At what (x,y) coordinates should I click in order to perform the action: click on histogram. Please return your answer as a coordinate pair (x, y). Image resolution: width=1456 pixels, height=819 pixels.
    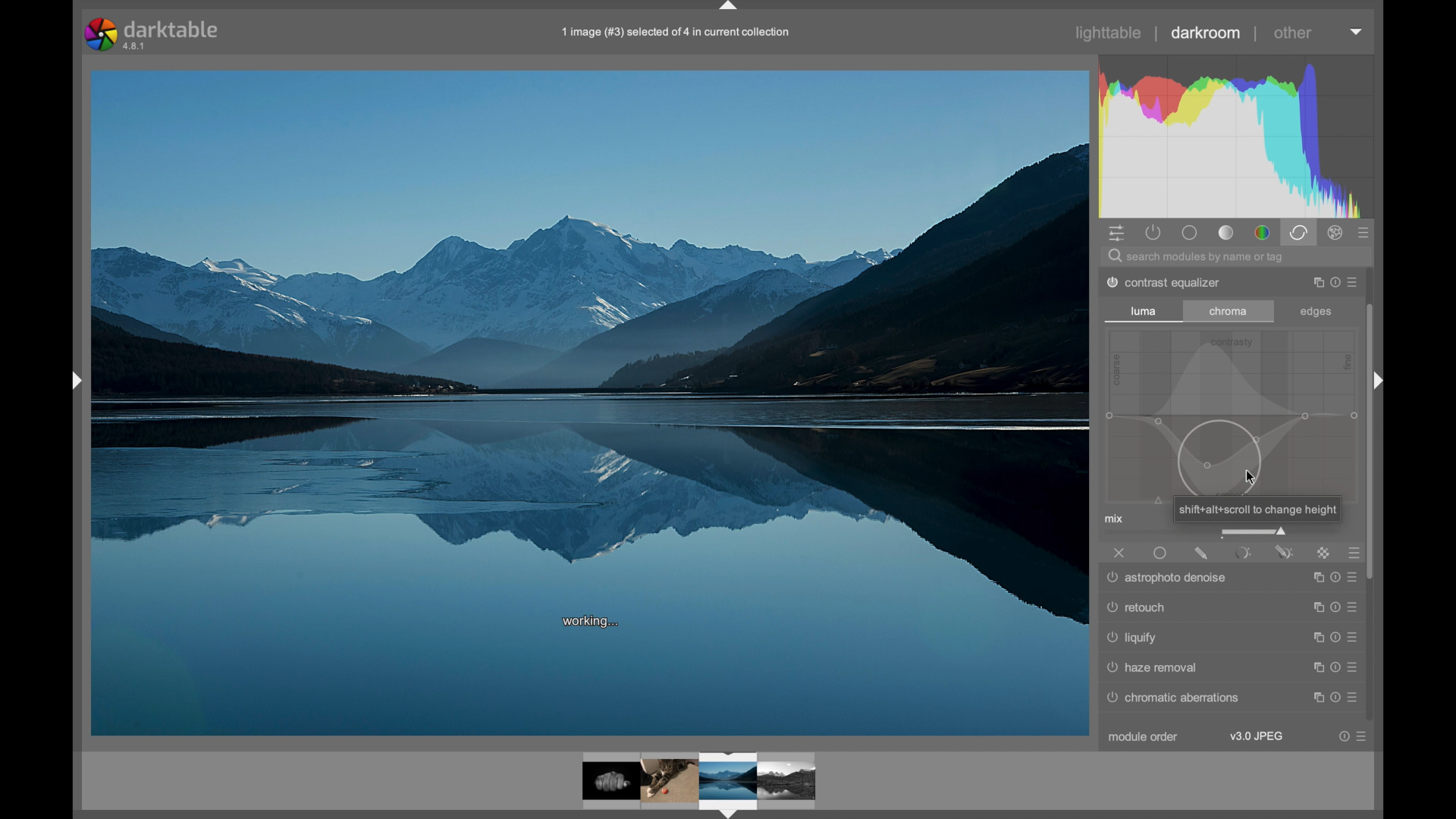
    Looking at the image, I should click on (1238, 135).